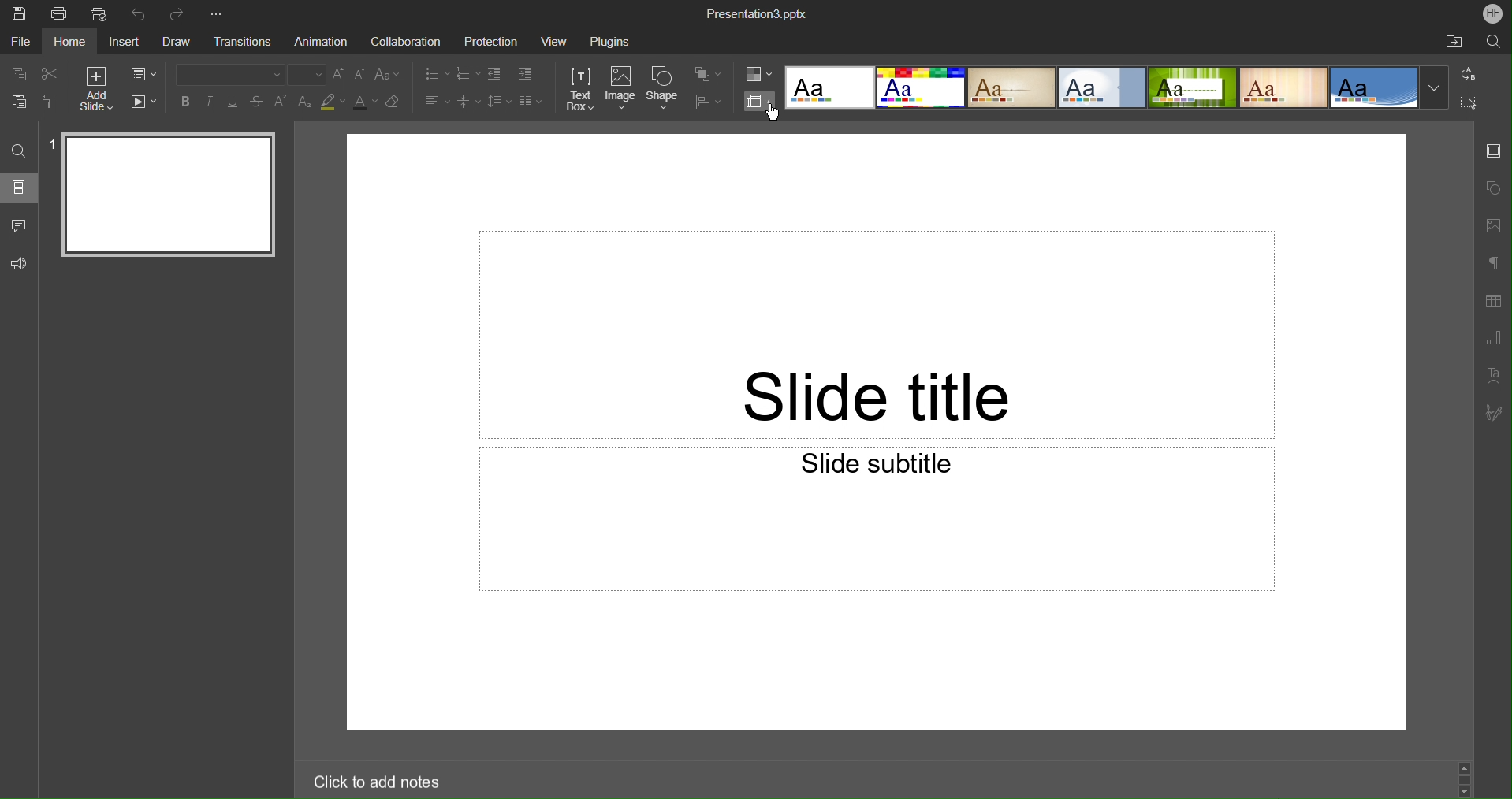 The height and width of the screenshot is (799, 1512). What do you see at coordinates (467, 102) in the screenshot?
I see `Decrease Spacing` at bounding box center [467, 102].